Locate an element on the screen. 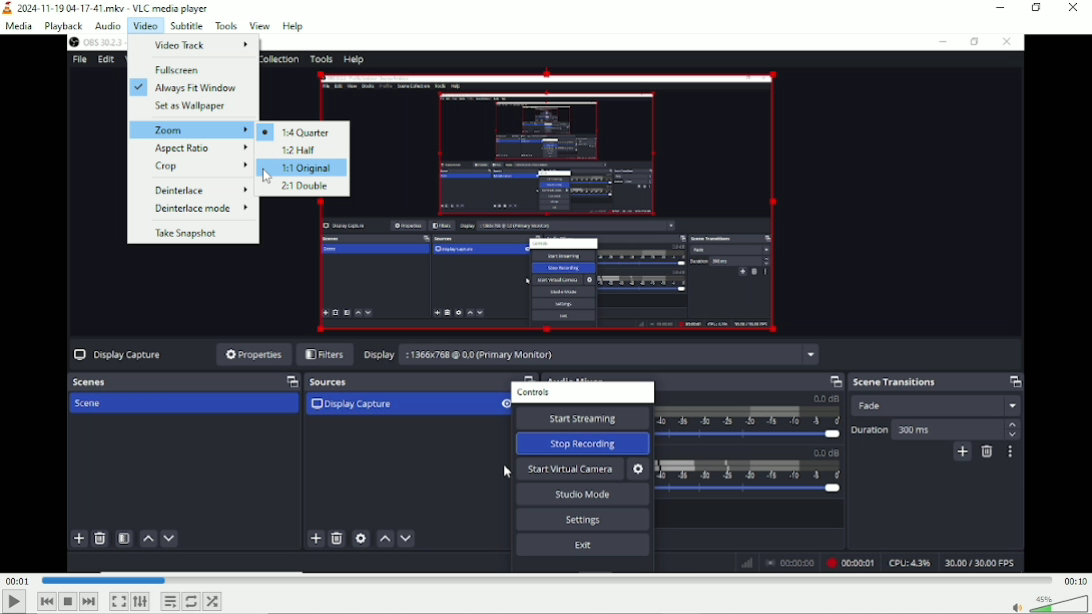  next is located at coordinates (89, 602).